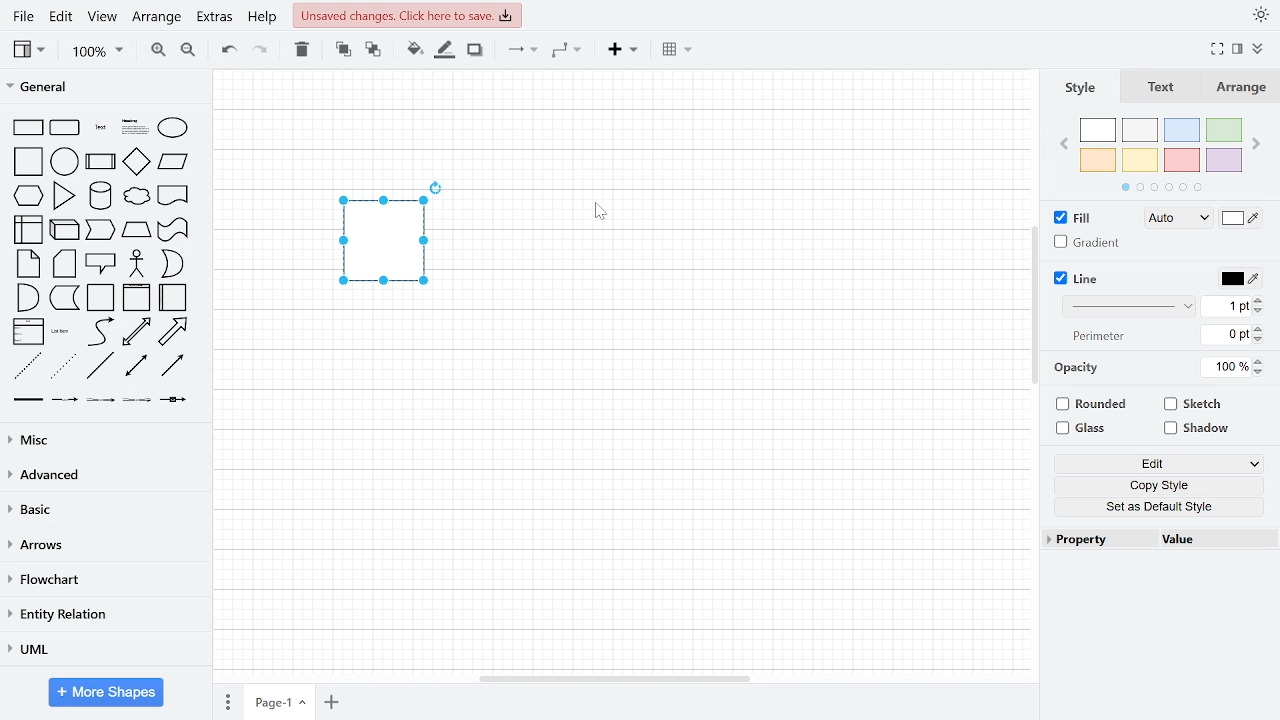  What do you see at coordinates (226, 51) in the screenshot?
I see `undo` at bounding box center [226, 51].